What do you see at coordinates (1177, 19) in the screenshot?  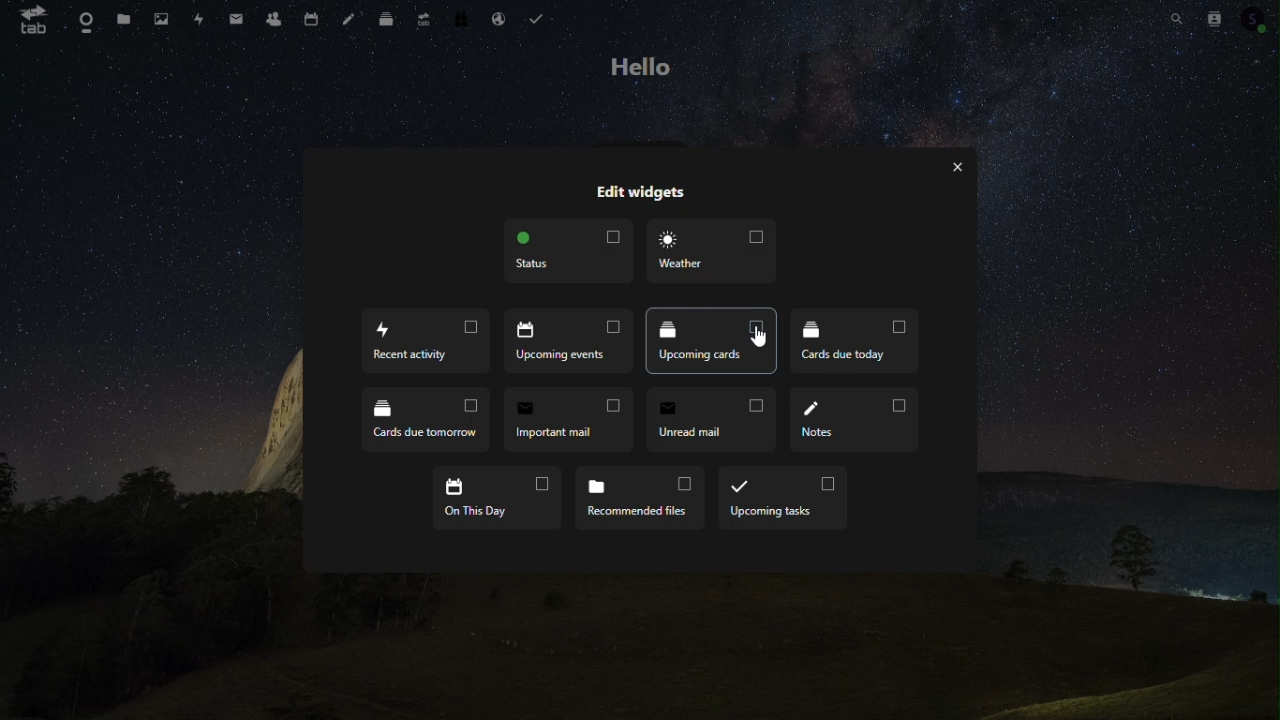 I see `Search` at bounding box center [1177, 19].